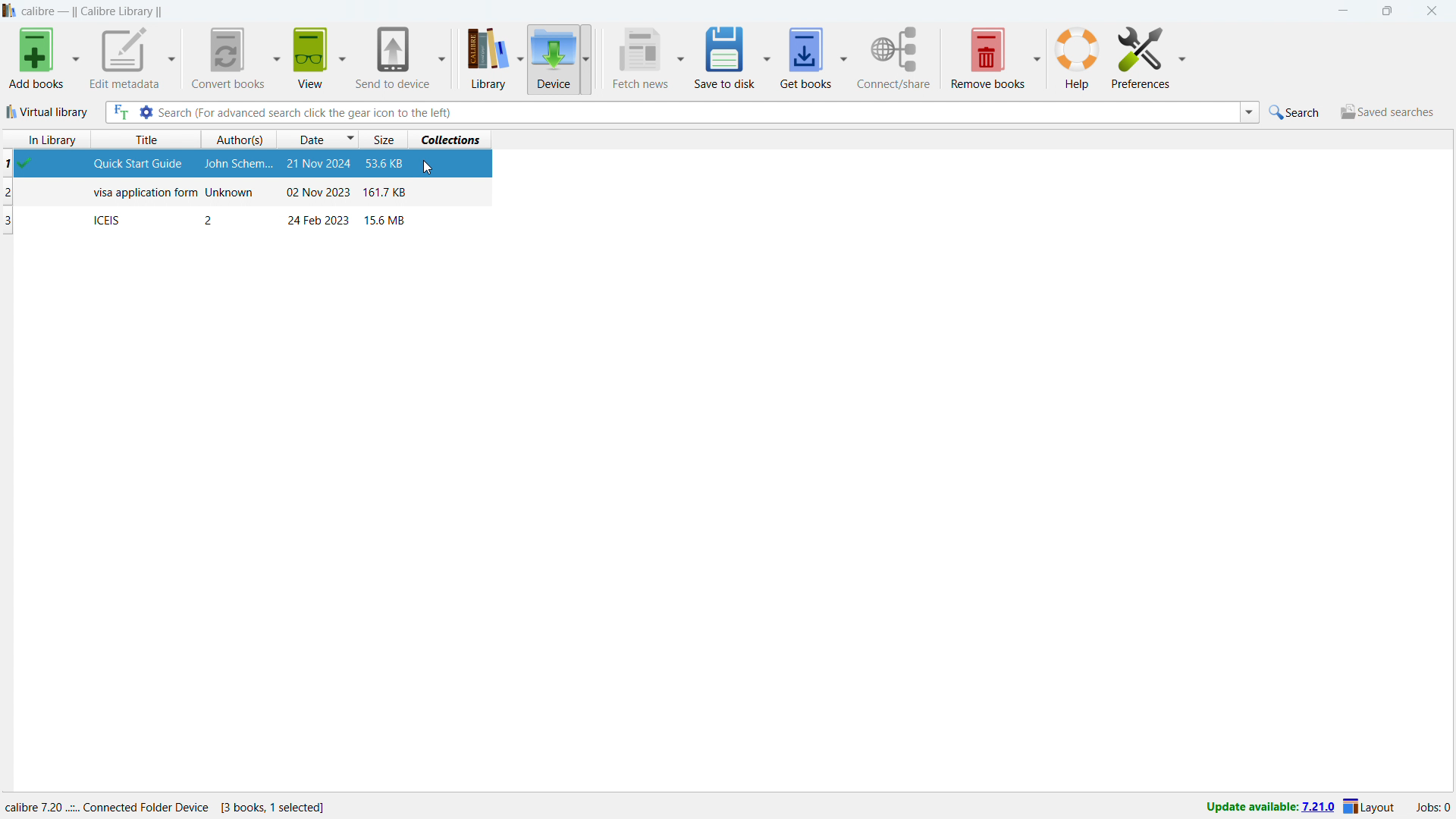 This screenshot has width=1456, height=819. Describe the element at coordinates (172, 804) in the screenshot. I see `details of software program` at that location.